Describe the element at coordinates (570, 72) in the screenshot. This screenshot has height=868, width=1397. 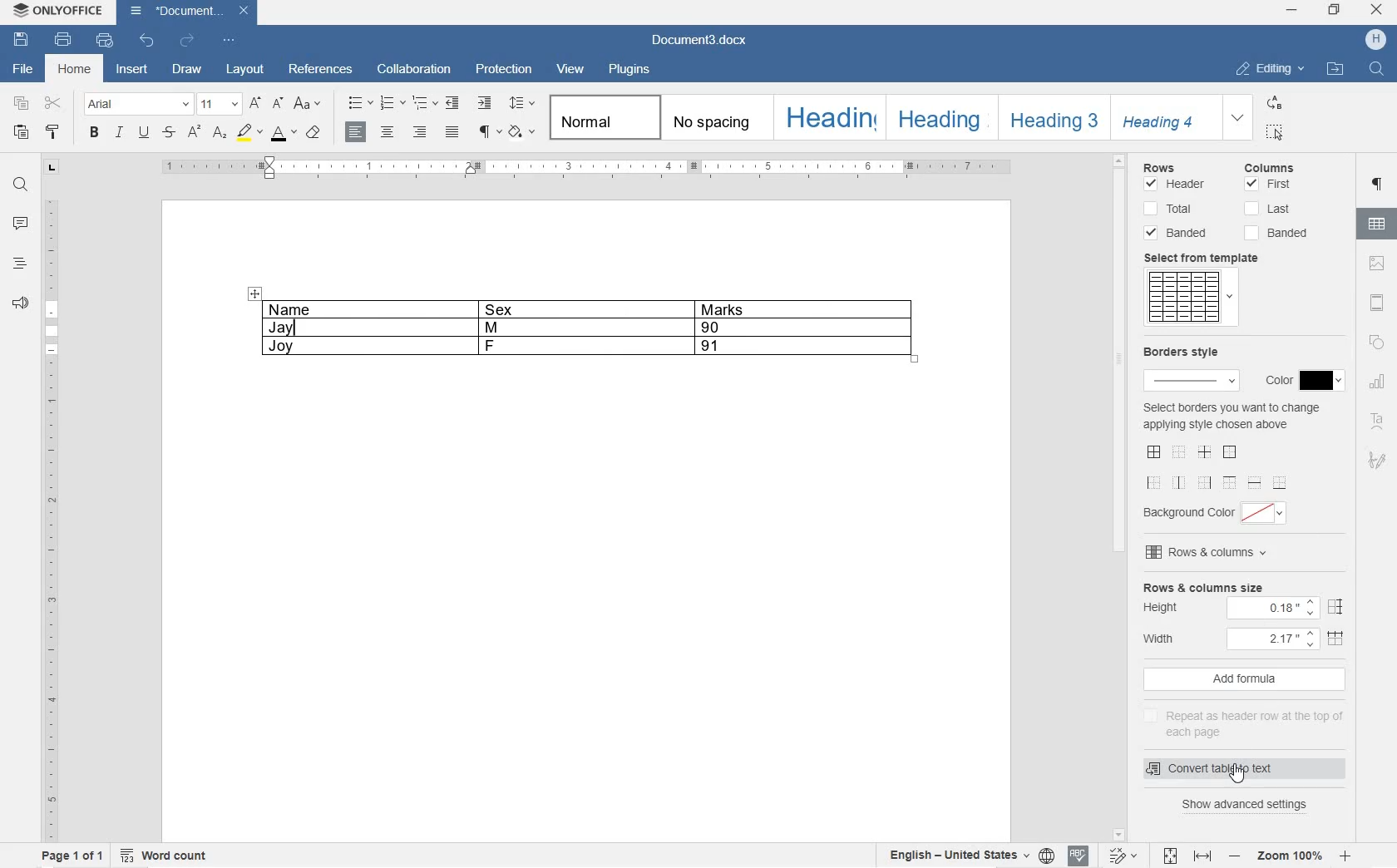
I see `VIEW` at that location.